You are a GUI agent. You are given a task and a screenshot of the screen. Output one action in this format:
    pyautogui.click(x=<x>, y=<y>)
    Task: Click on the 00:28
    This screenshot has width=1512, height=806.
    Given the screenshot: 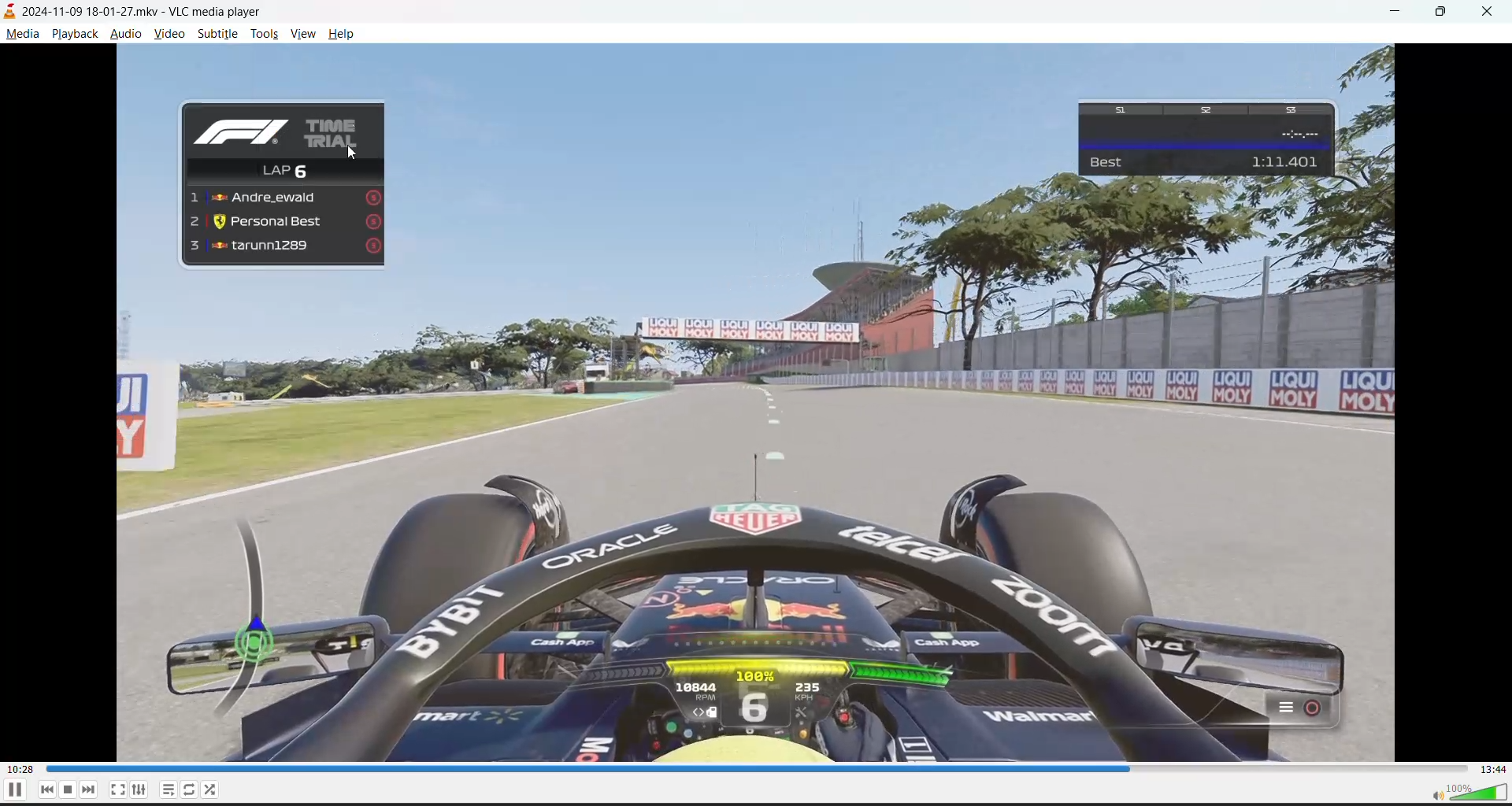 What is the action you would take?
    pyautogui.click(x=19, y=767)
    